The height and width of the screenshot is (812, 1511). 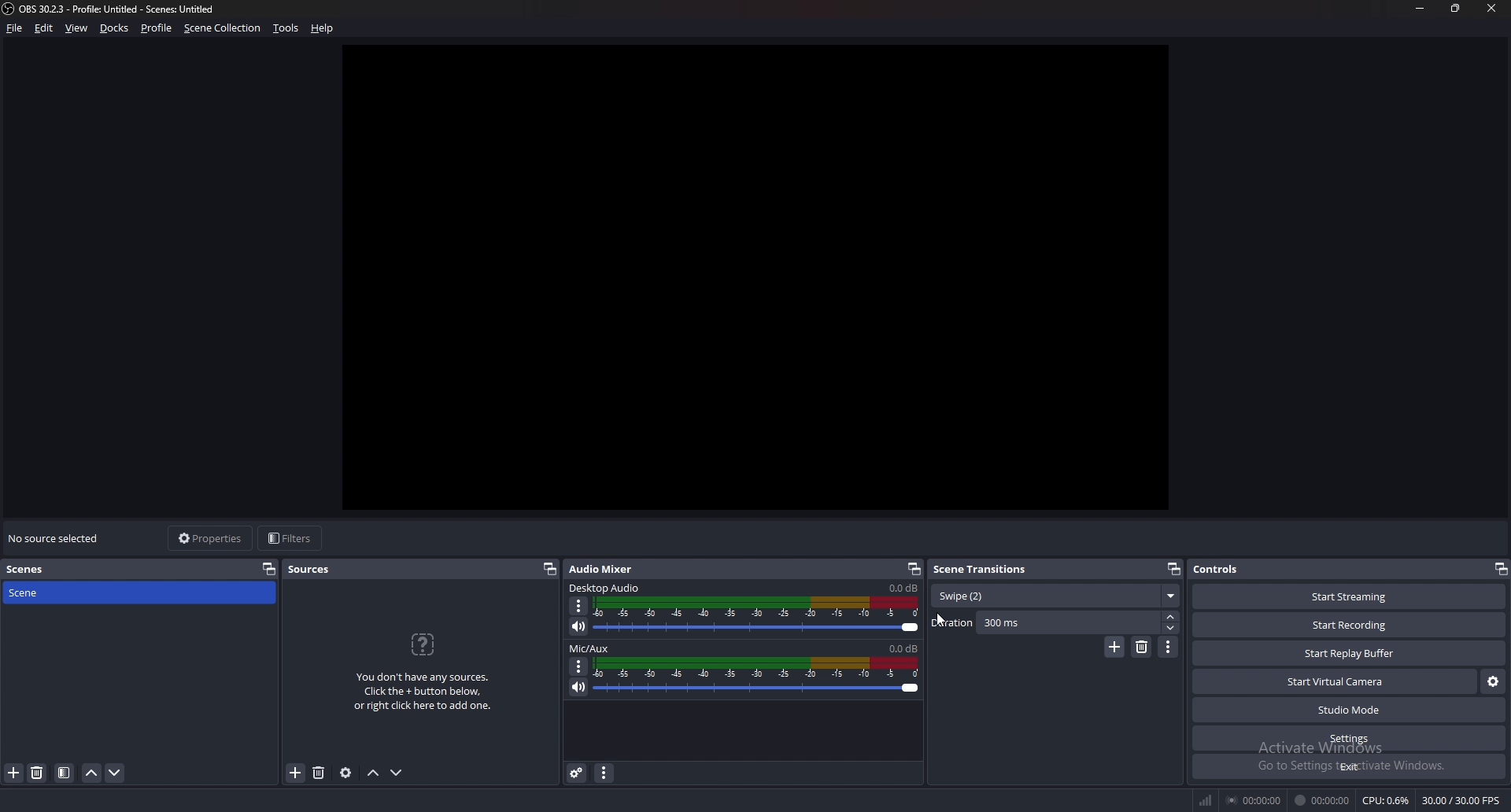 I want to click on transition properties, so click(x=1169, y=648).